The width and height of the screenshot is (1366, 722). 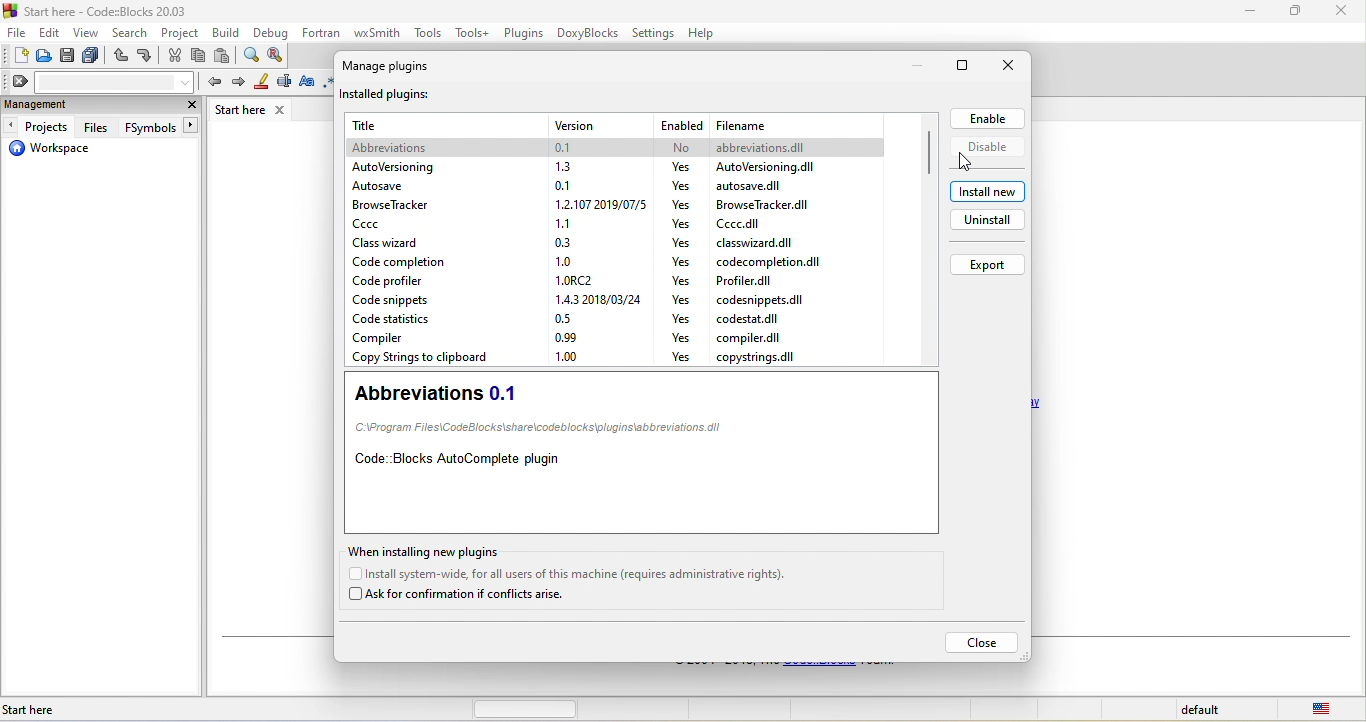 What do you see at coordinates (236, 82) in the screenshot?
I see `next` at bounding box center [236, 82].